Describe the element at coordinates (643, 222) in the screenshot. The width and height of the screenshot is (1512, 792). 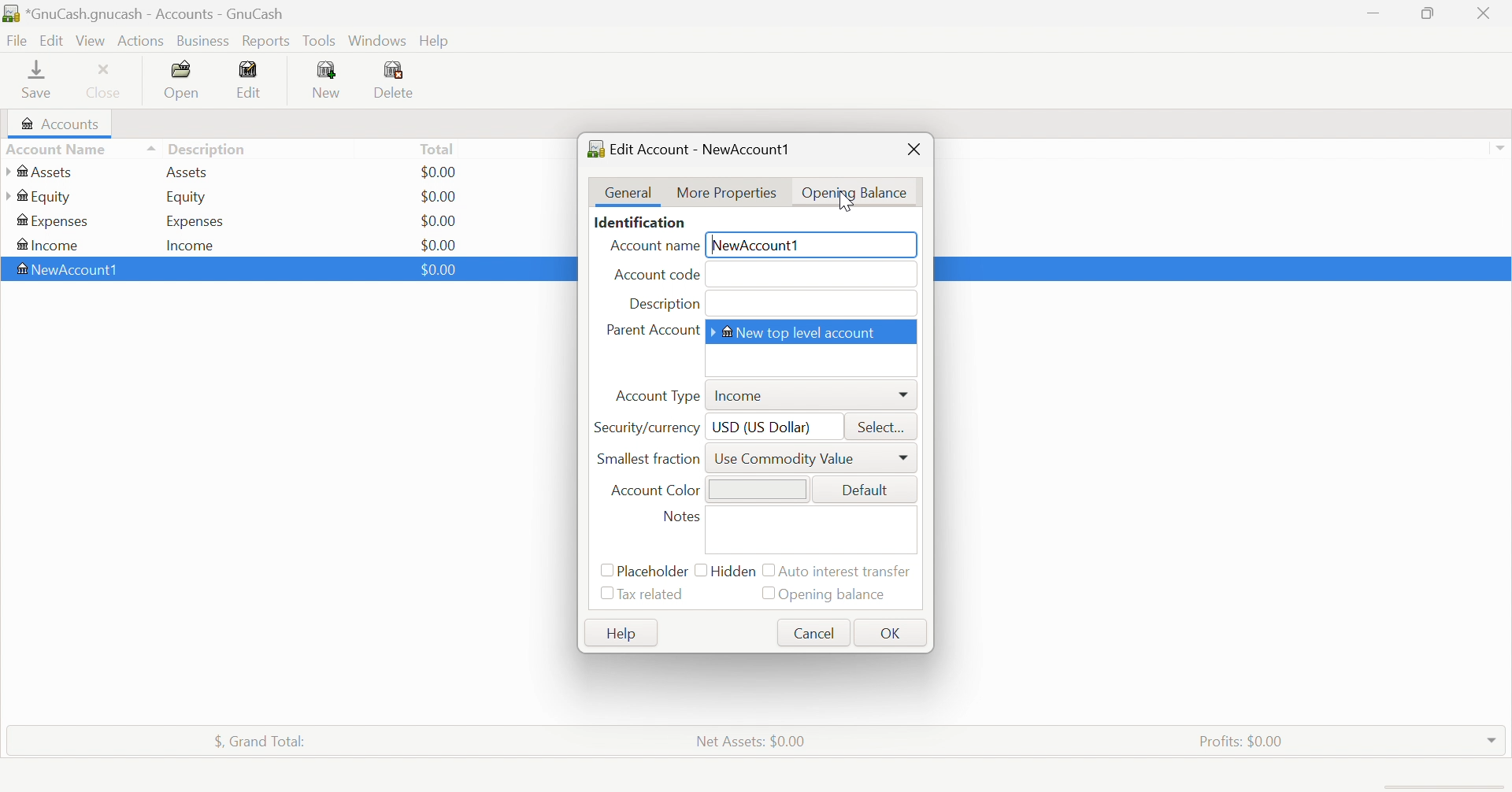
I see `Identification` at that location.